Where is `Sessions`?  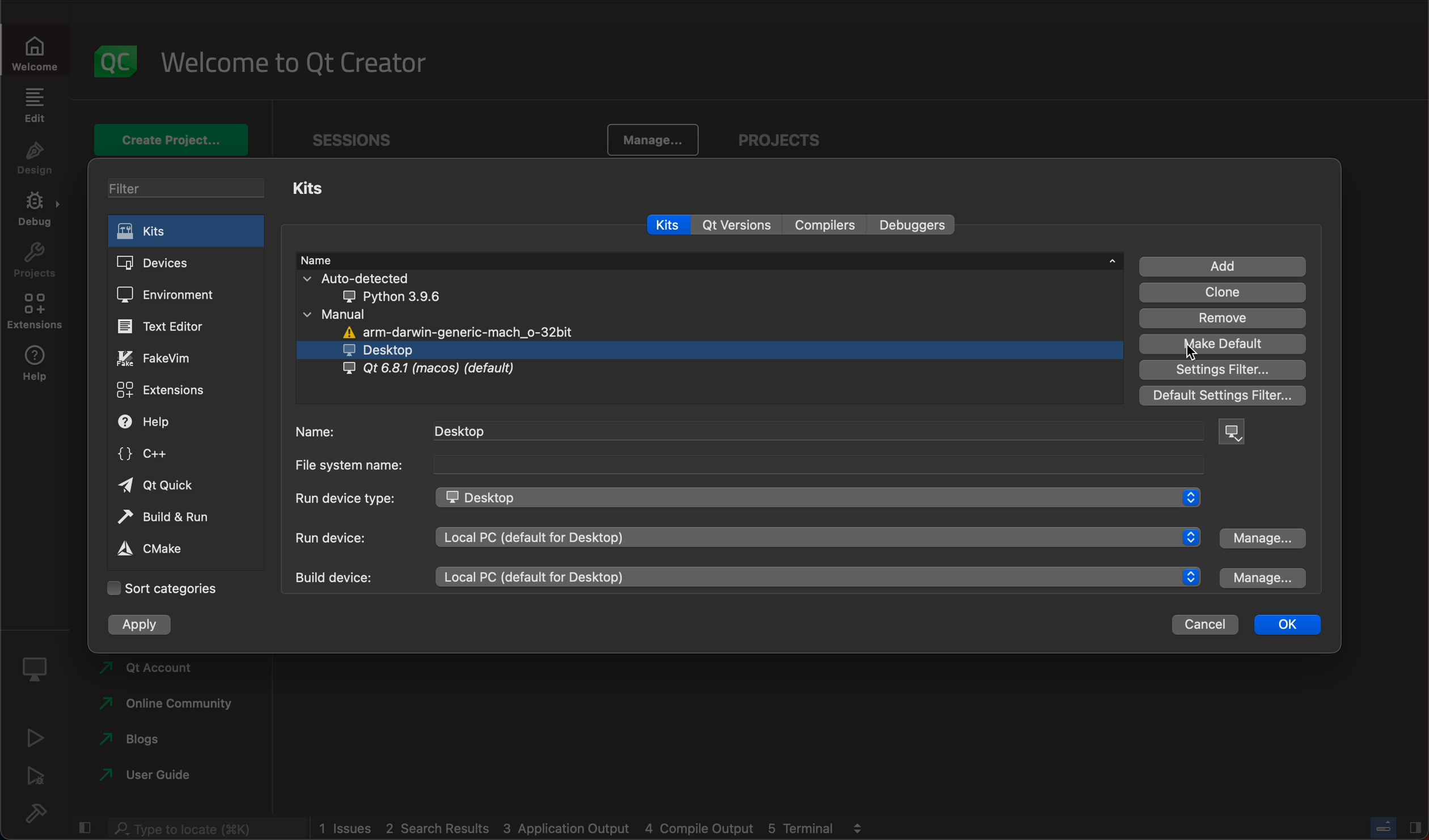
Sessions is located at coordinates (366, 137).